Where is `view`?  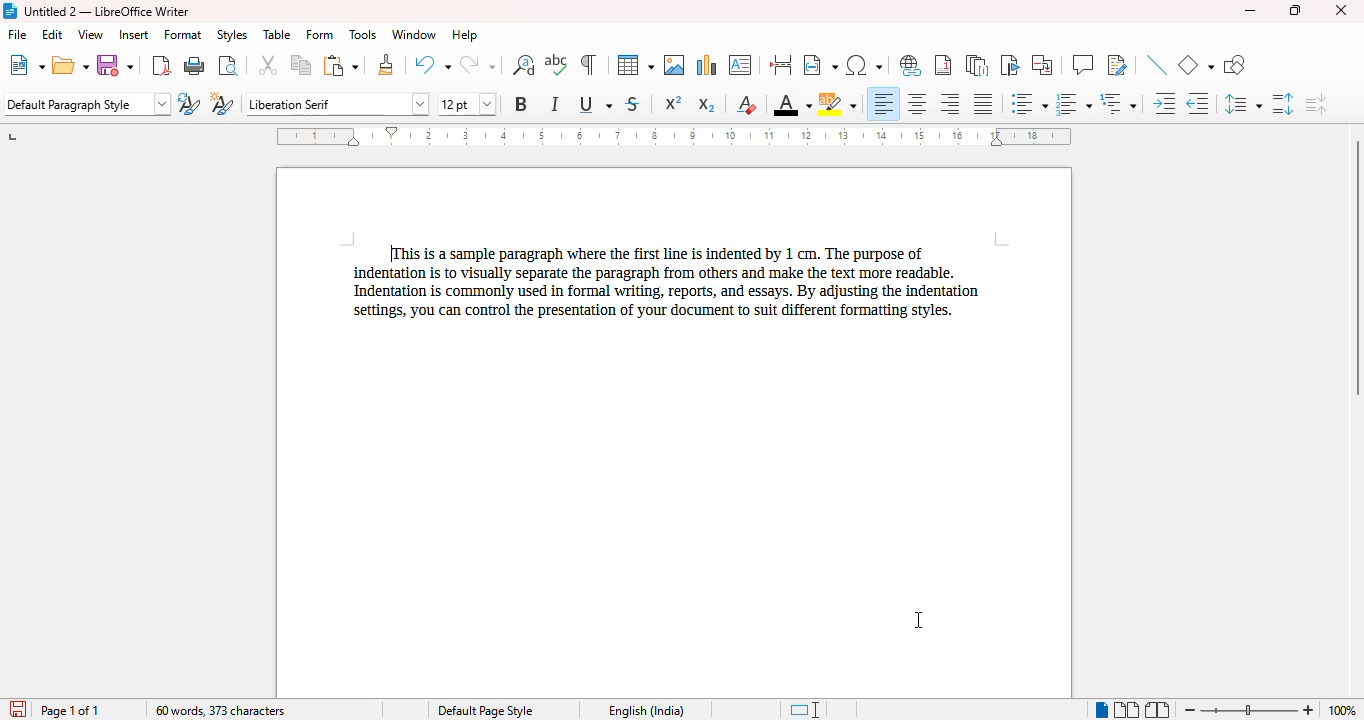 view is located at coordinates (90, 34).